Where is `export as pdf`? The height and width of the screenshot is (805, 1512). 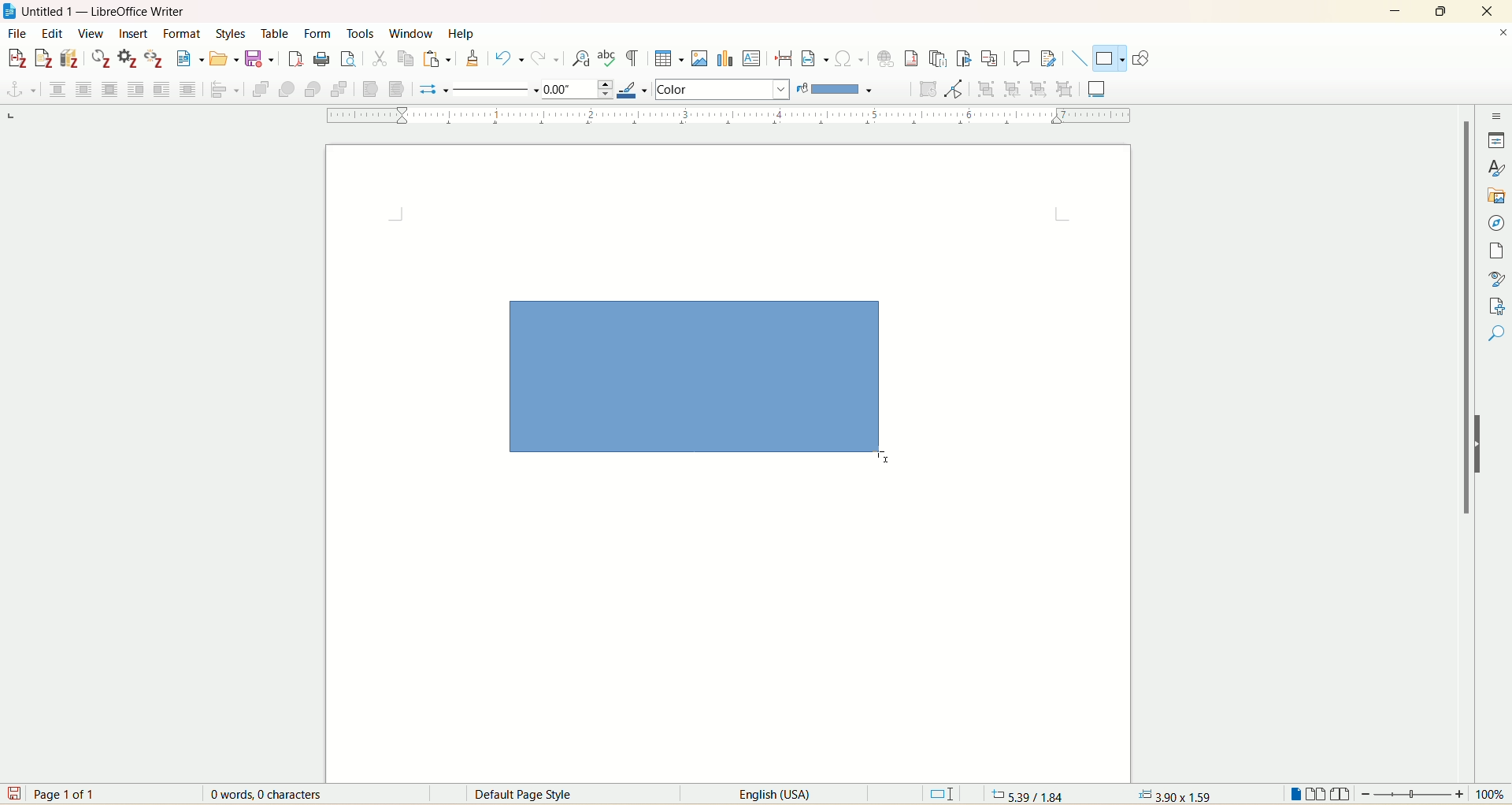
export as pdf is located at coordinates (294, 60).